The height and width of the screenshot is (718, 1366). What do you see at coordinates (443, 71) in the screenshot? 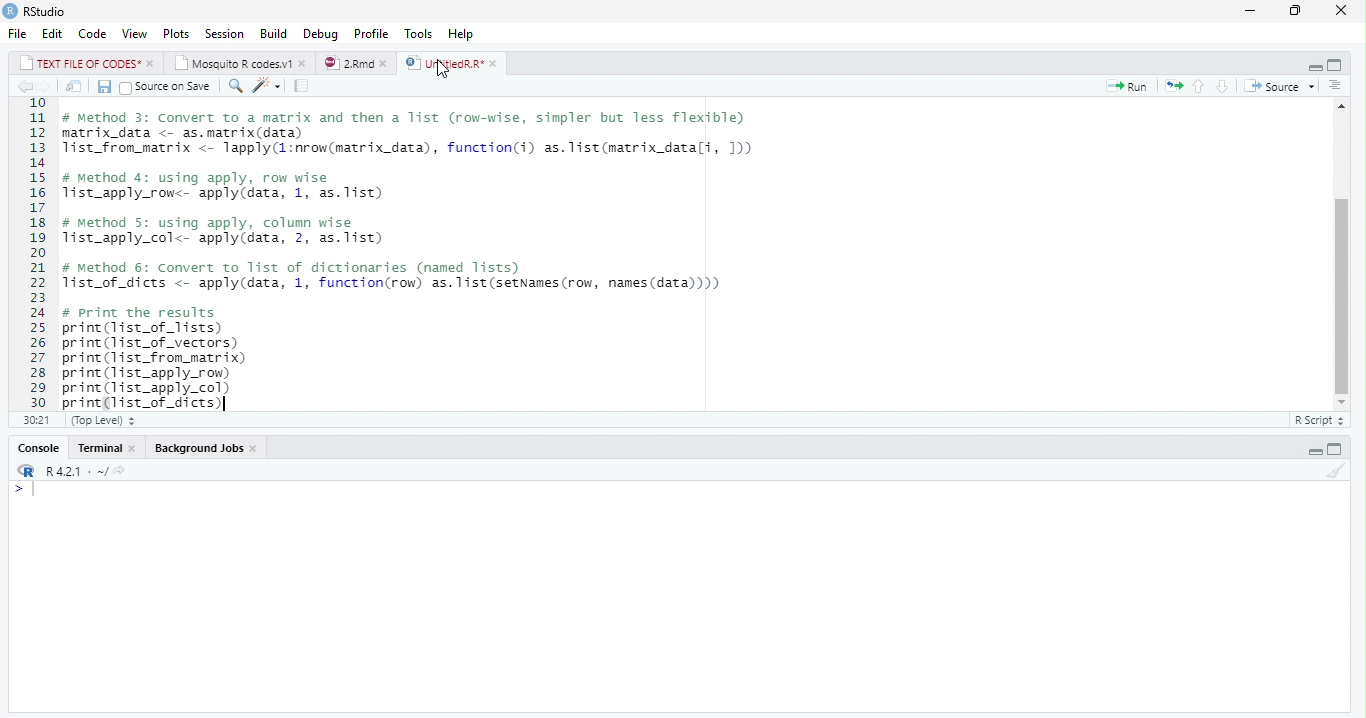
I see `cursor` at bounding box center [443, 71].